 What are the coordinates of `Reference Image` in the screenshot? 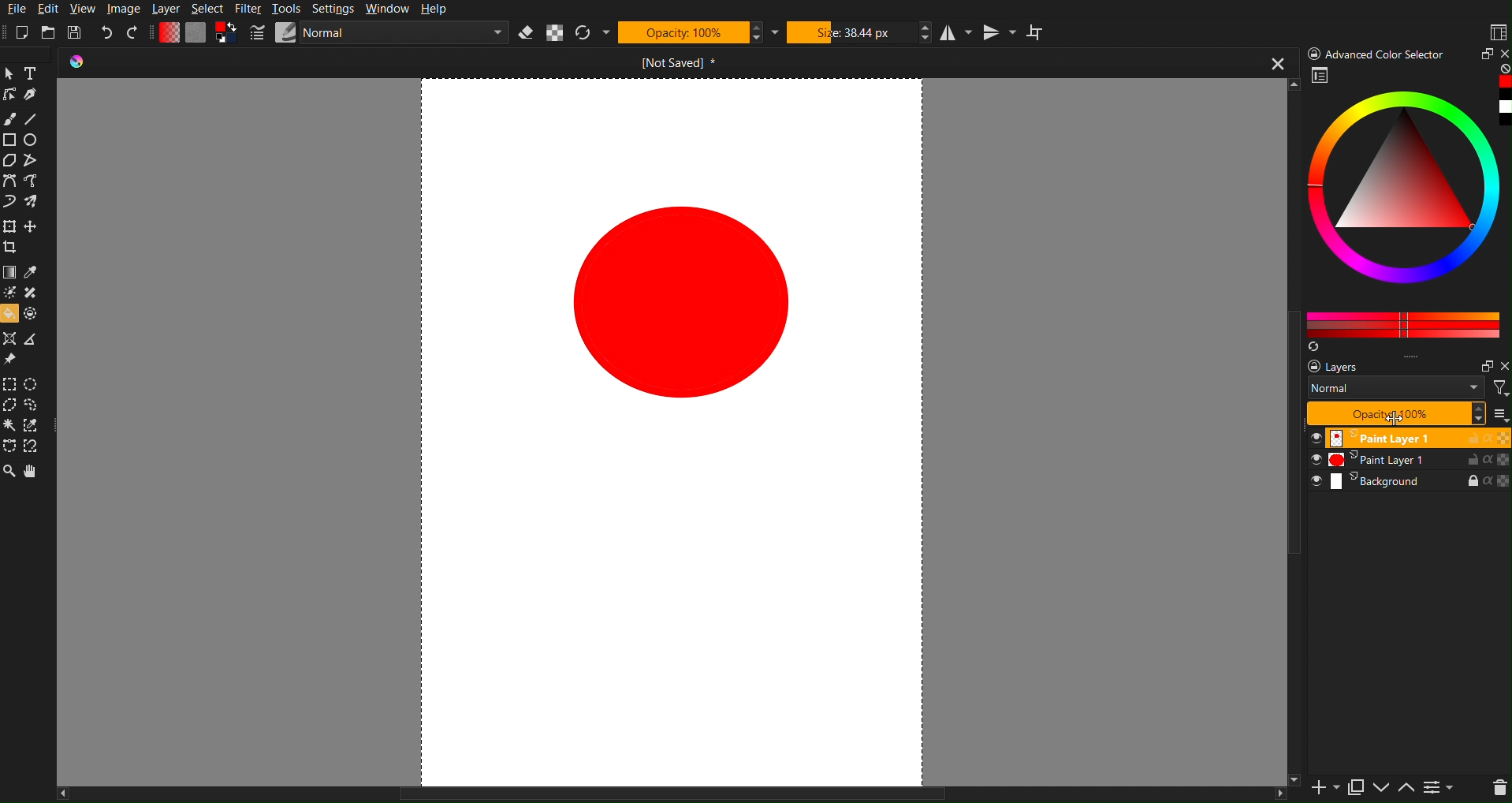 It's located at (9, 360).